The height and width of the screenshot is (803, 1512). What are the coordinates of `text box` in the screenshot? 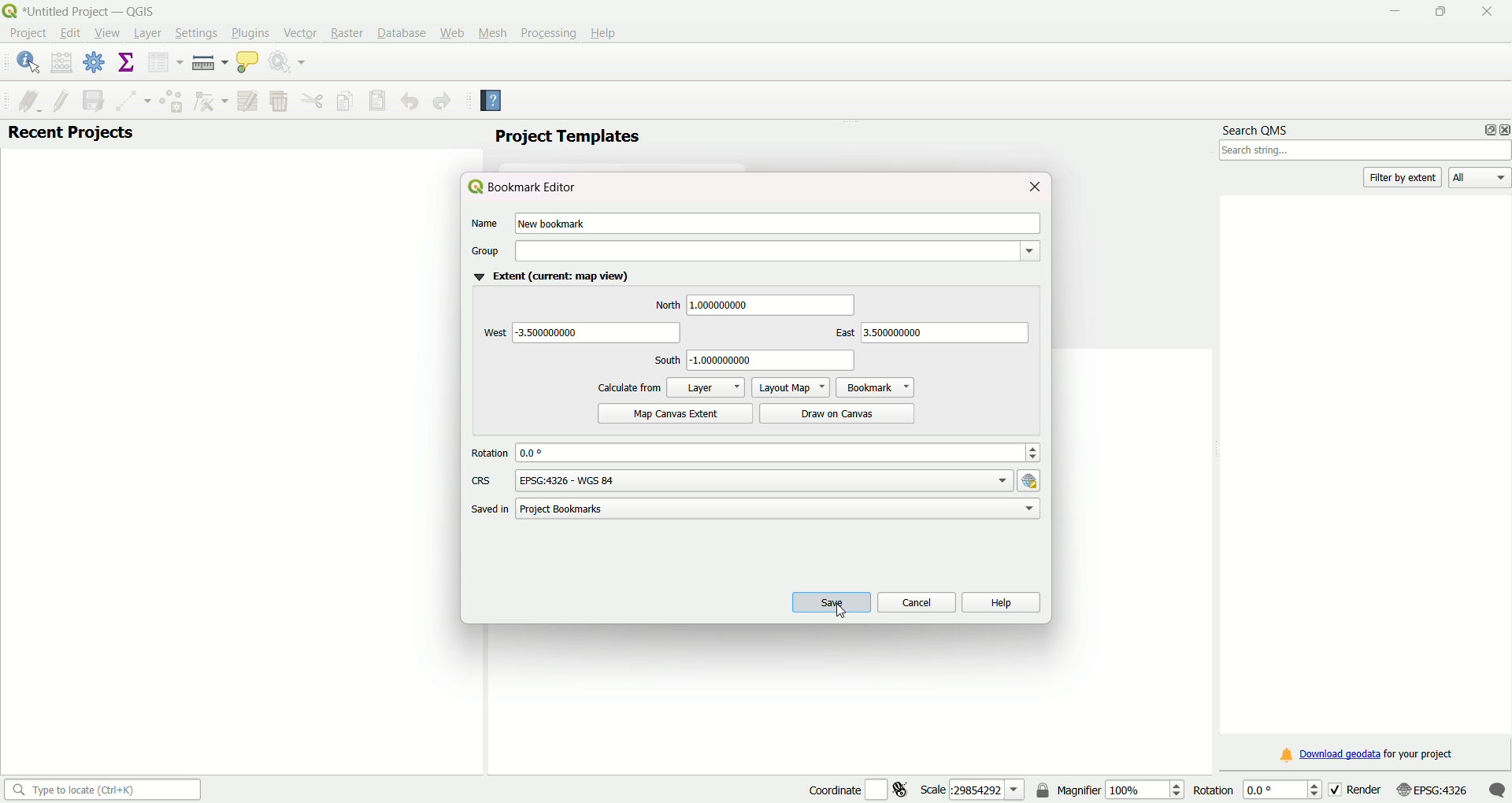 It's located at (945, 333).